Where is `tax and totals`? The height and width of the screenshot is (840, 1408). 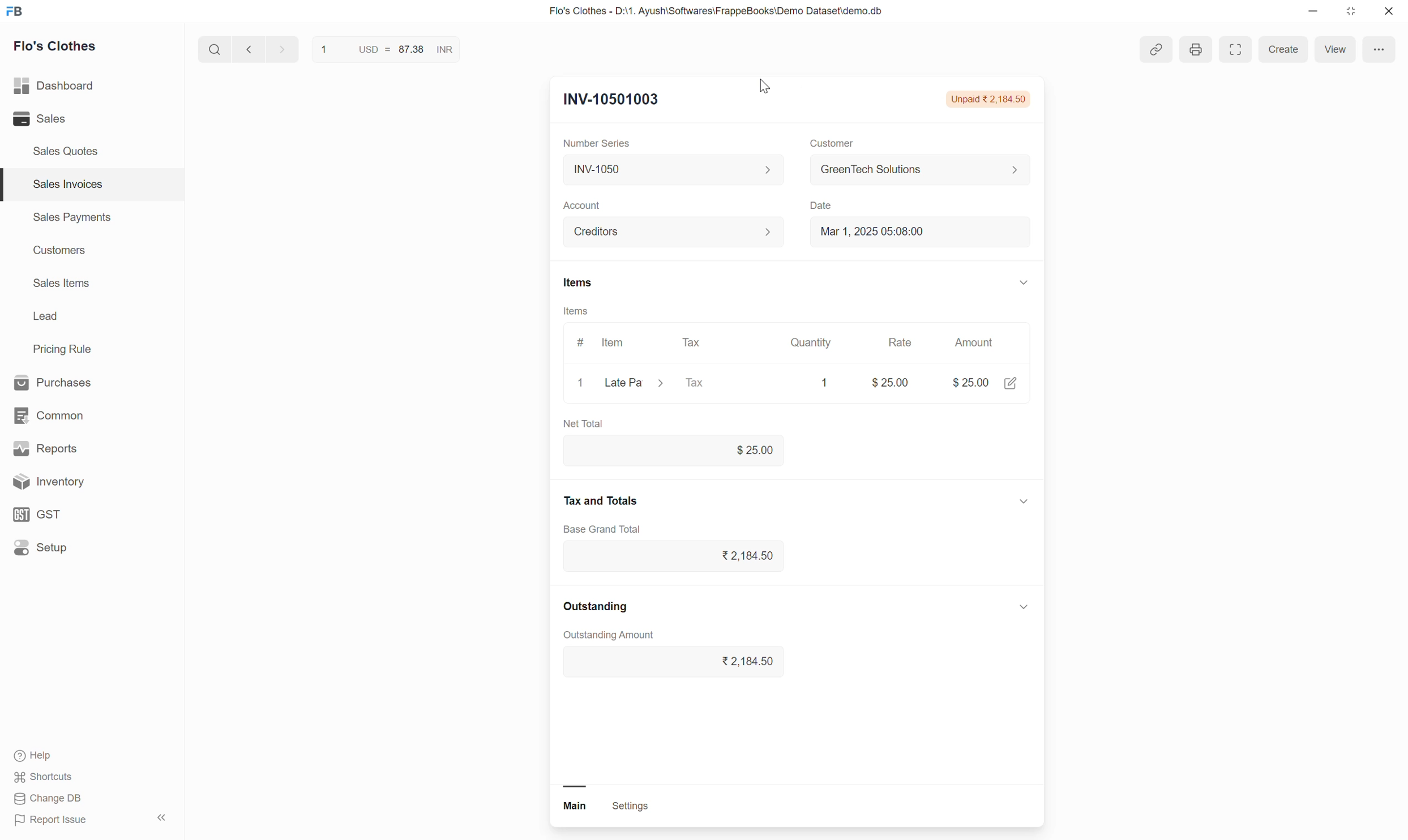 tax and totals is located at coordinates (609, 499).